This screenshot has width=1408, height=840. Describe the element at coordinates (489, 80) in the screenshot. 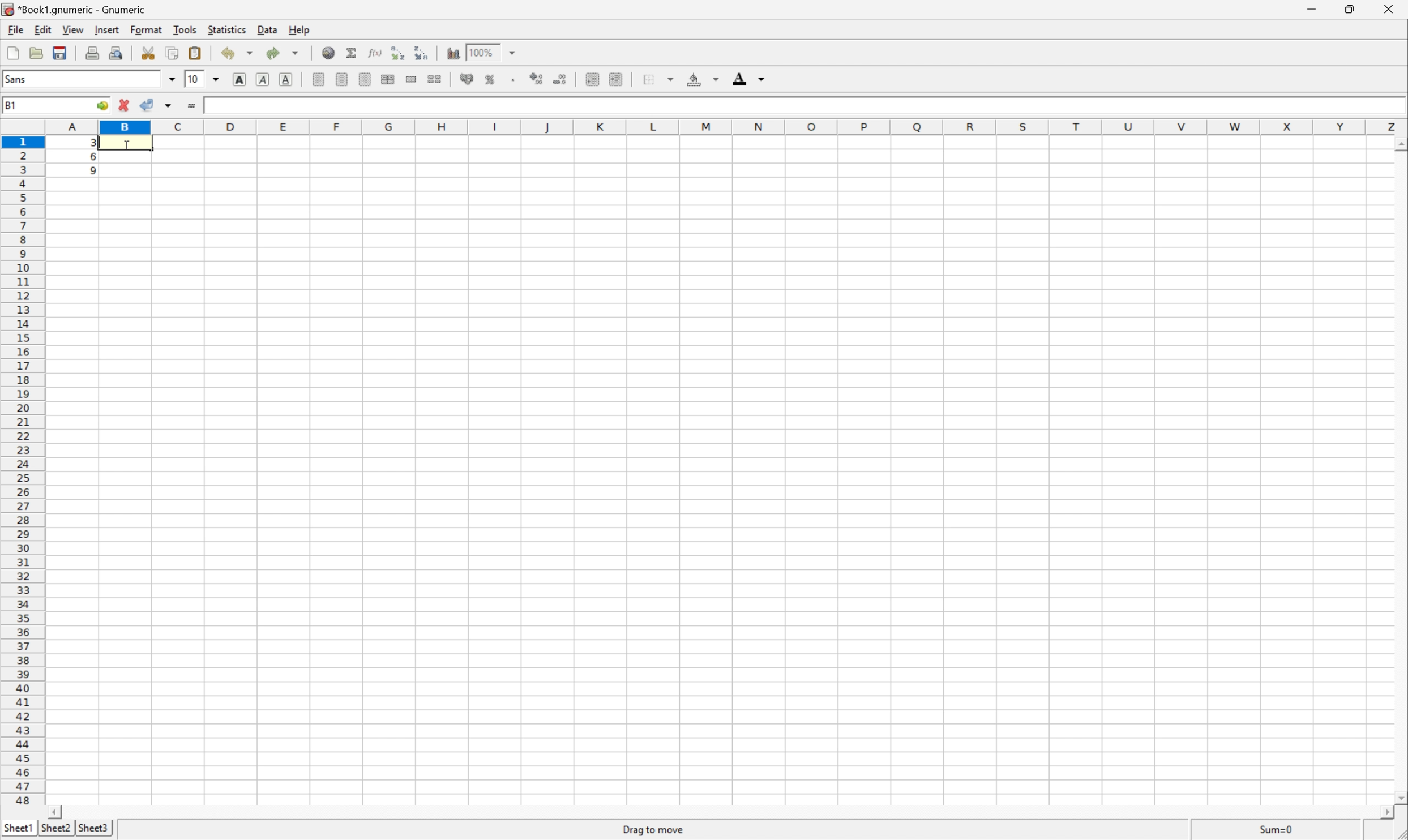

I see `Format the selection as percentage` at that location.